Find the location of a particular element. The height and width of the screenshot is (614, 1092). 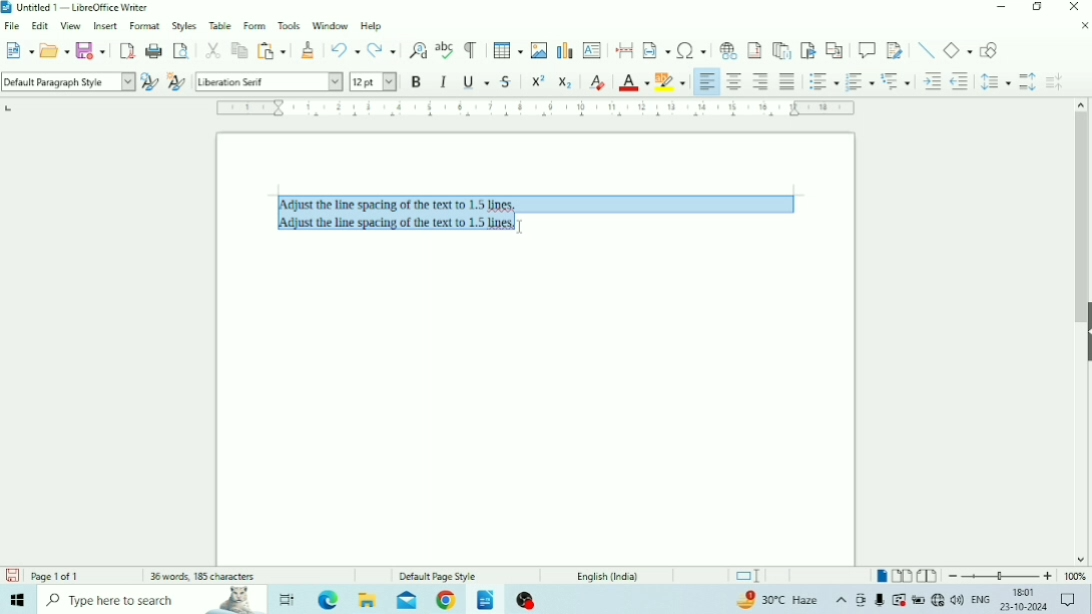

Insert is located at coordinates (105, 24).